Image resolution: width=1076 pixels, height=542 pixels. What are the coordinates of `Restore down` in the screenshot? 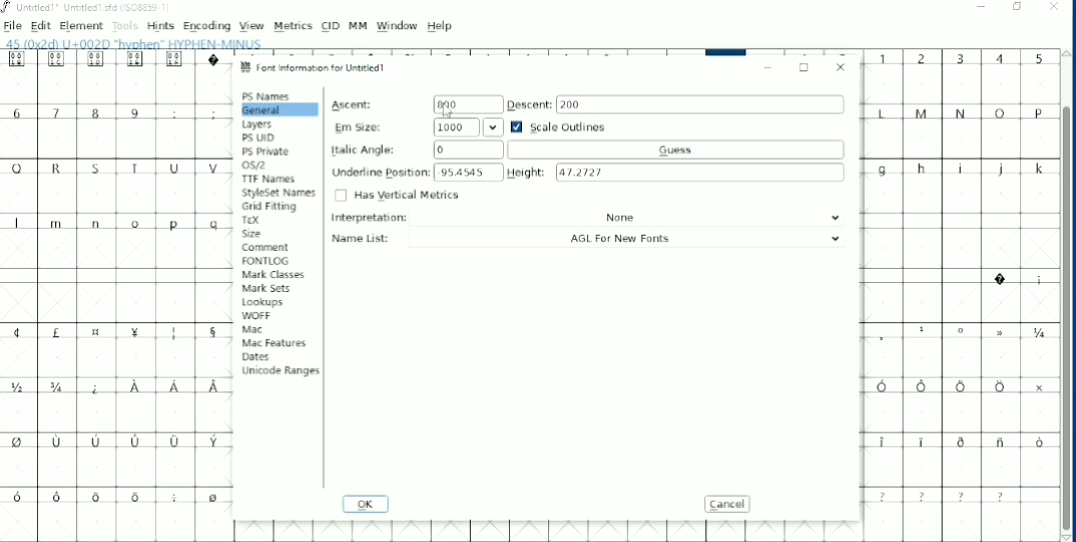 It's located at (1019, 7).